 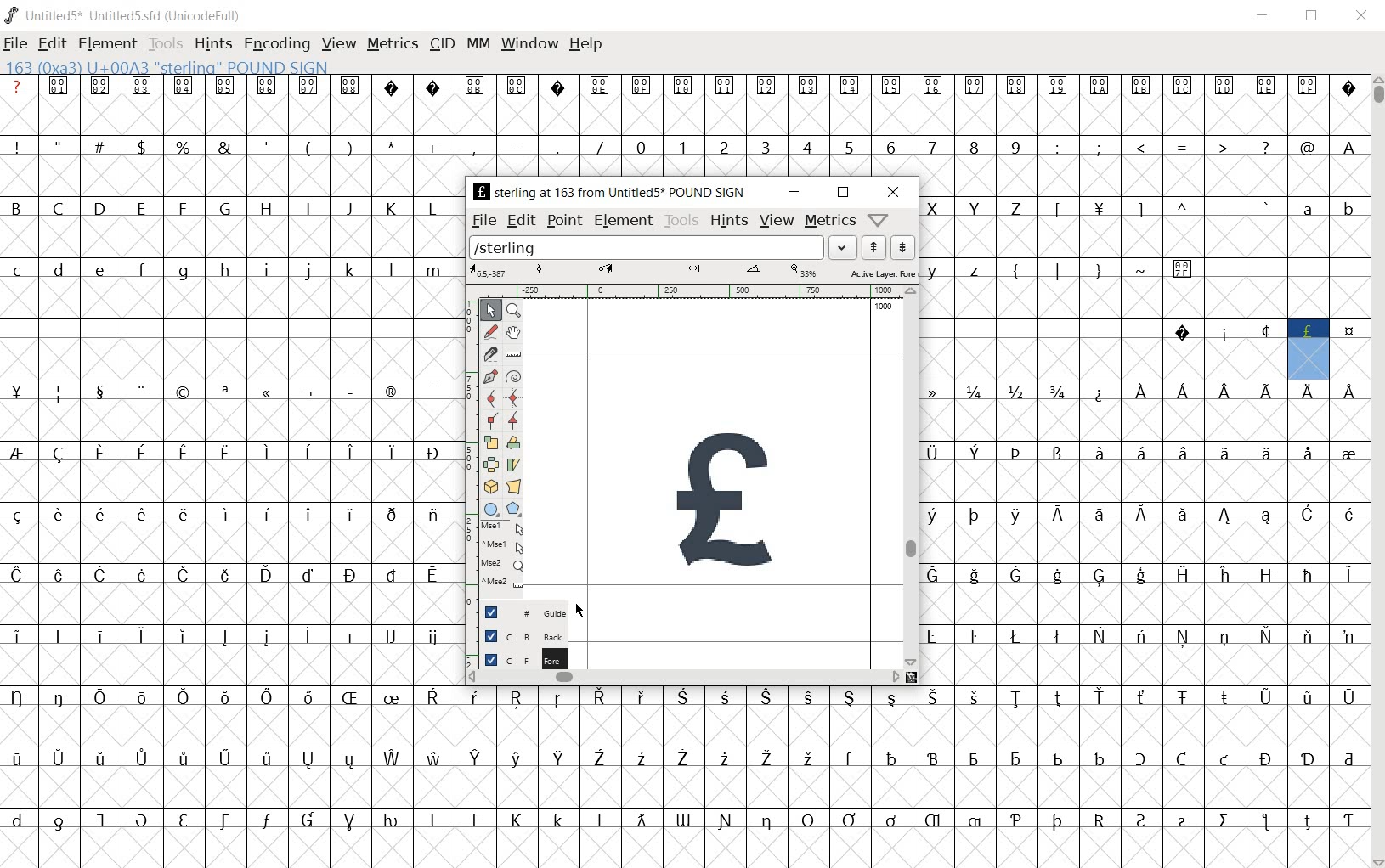 I want to click on Symbol, so click(x=1309, y=516).